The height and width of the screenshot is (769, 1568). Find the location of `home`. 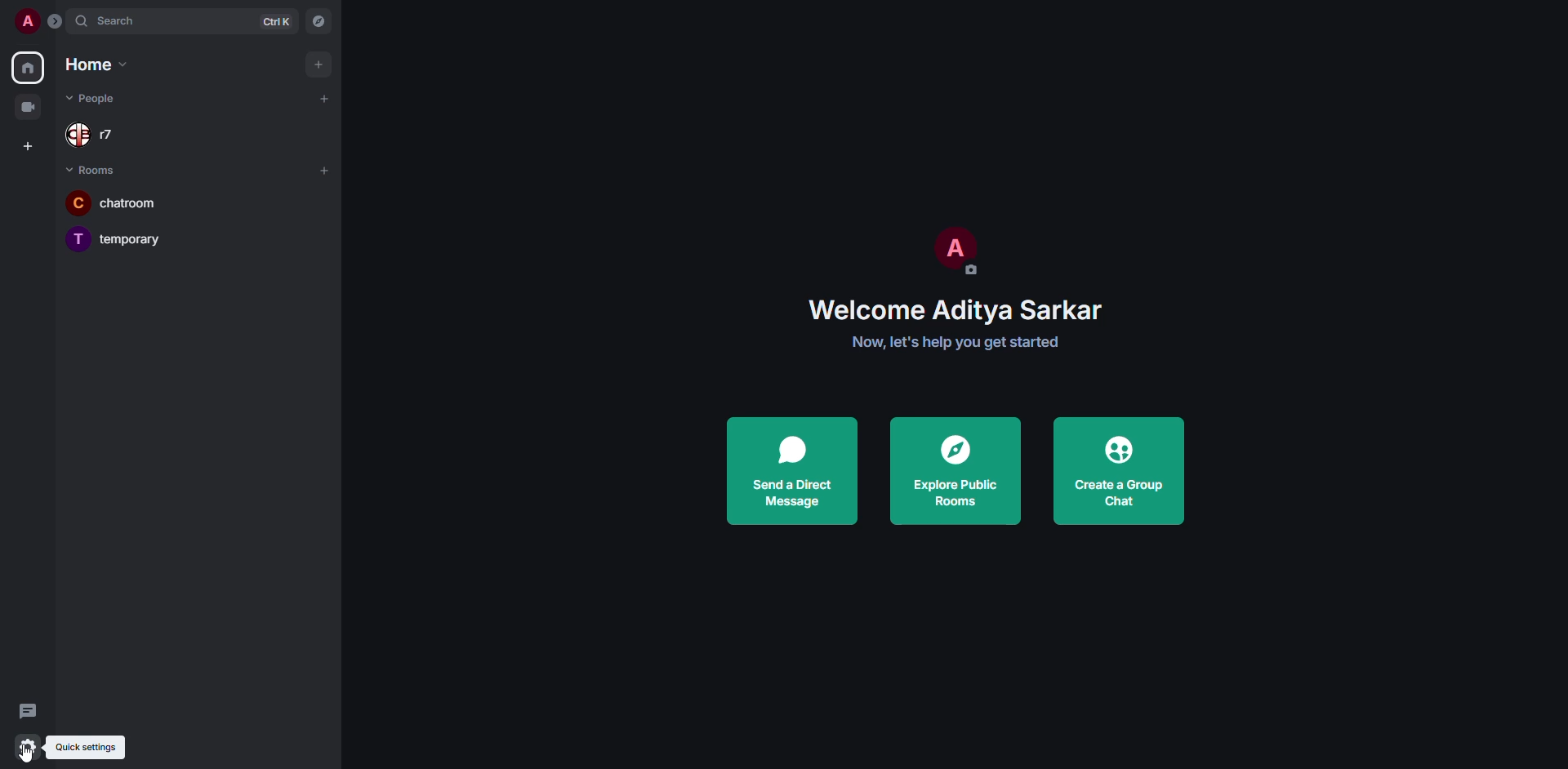

home is located at coordinates (98, 64).